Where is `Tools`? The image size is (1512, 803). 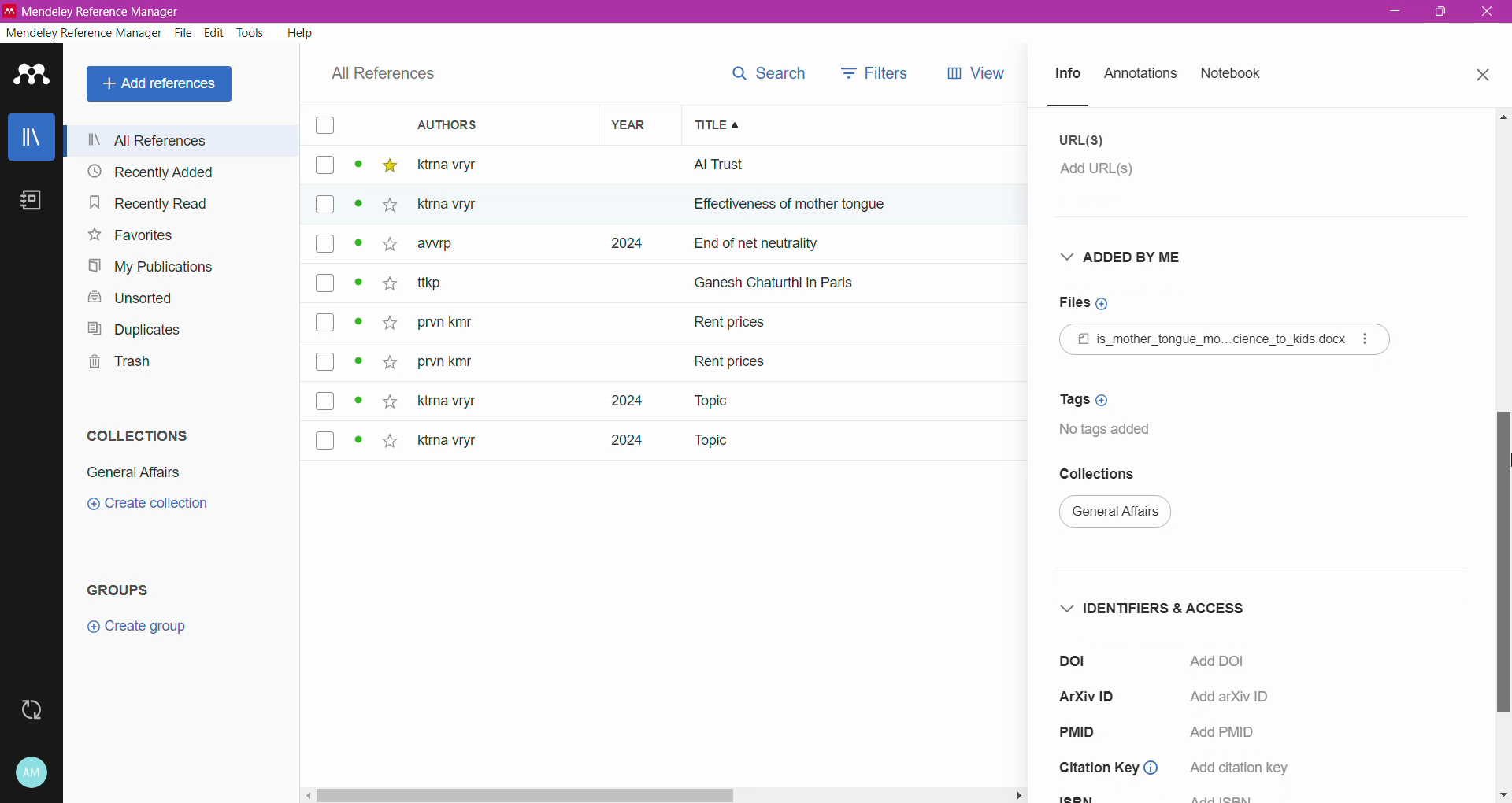
Tools is located at coordinates (252, 33).